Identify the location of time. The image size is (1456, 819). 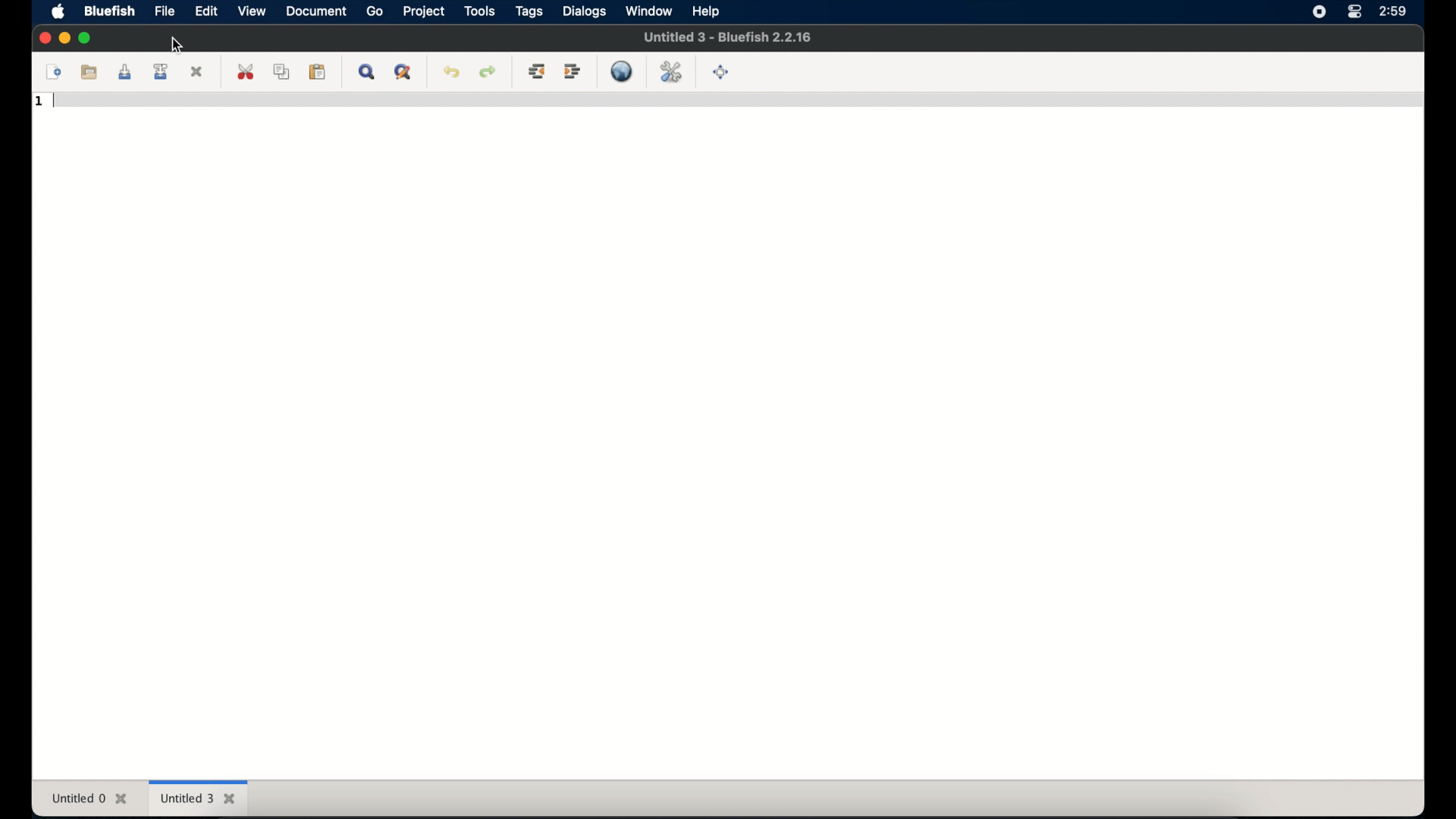
(1393, 11).